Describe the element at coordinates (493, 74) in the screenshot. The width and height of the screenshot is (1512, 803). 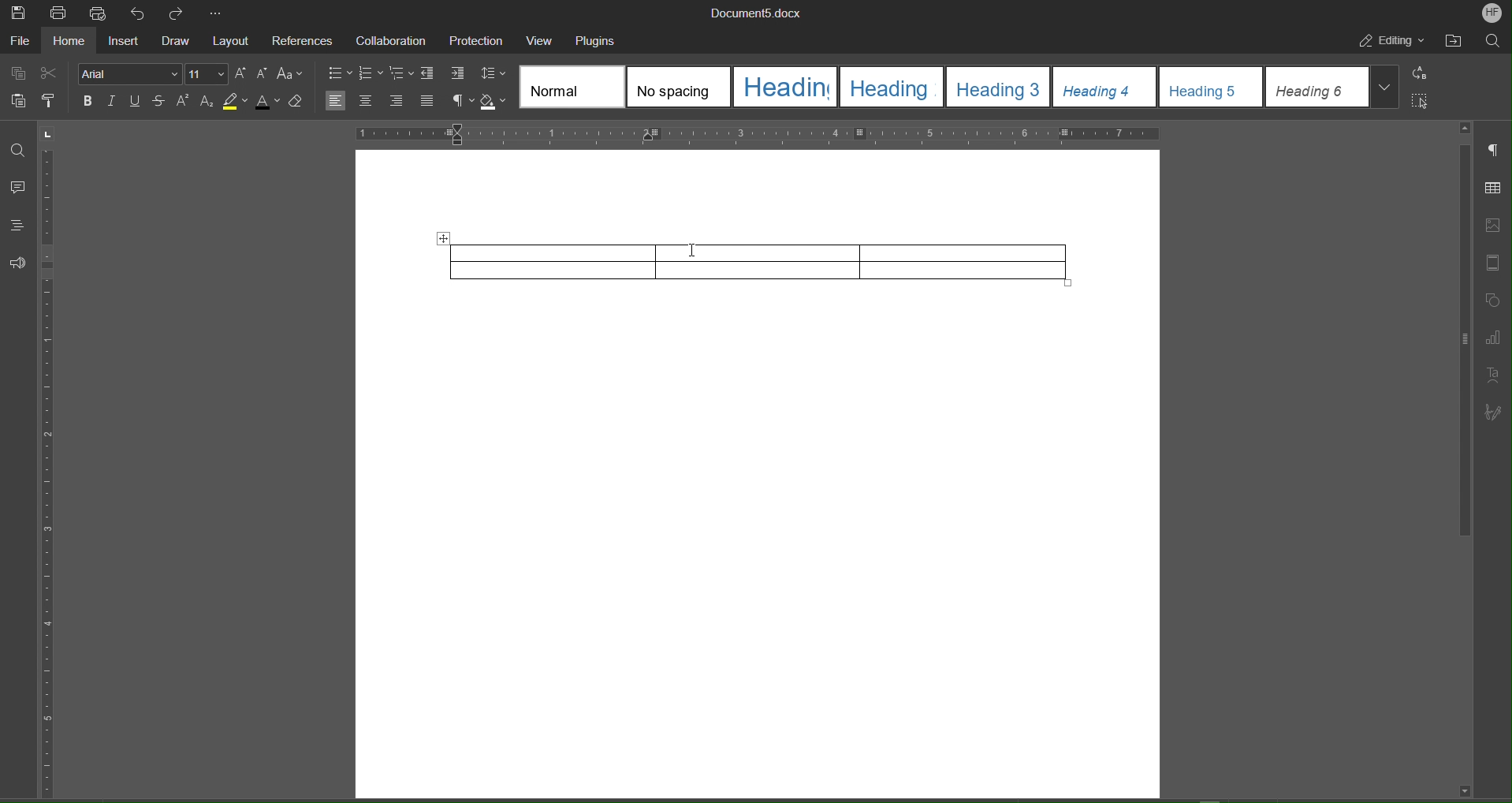
I see `Line Spacing` at that location.